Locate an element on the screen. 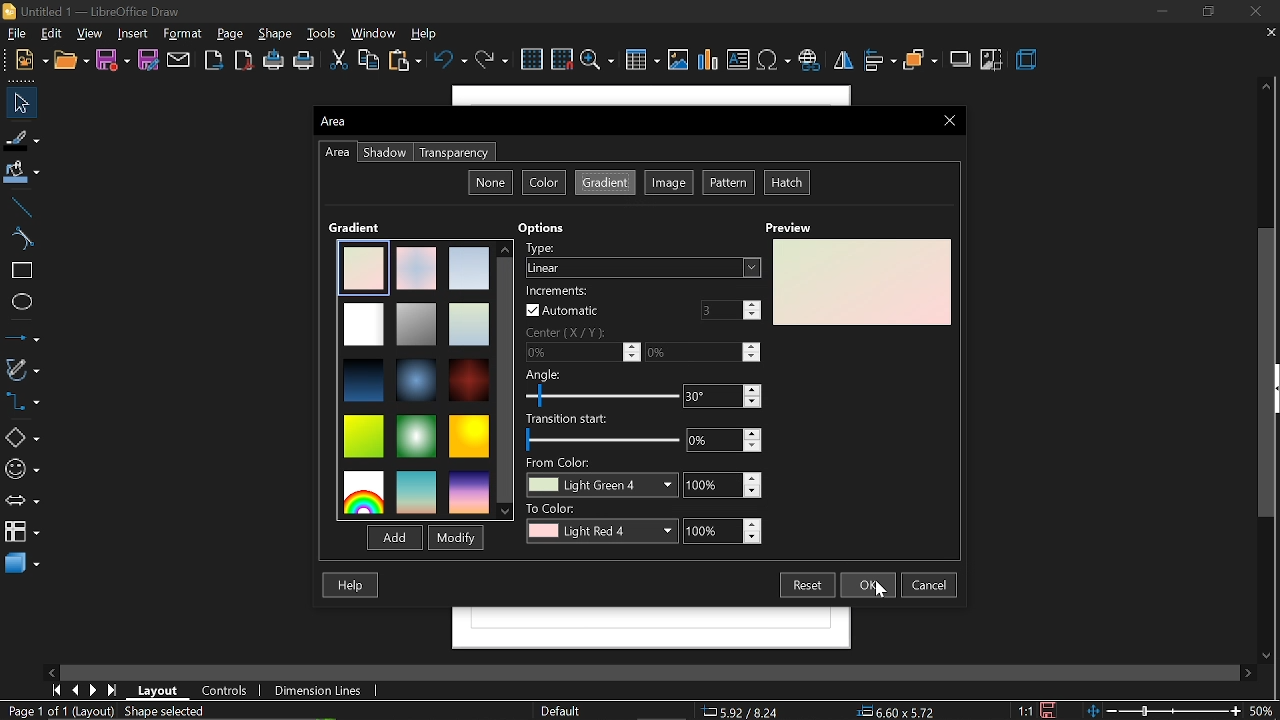 This screenshot has width=1280, height=720. Format is located at coordinates (185, 34).